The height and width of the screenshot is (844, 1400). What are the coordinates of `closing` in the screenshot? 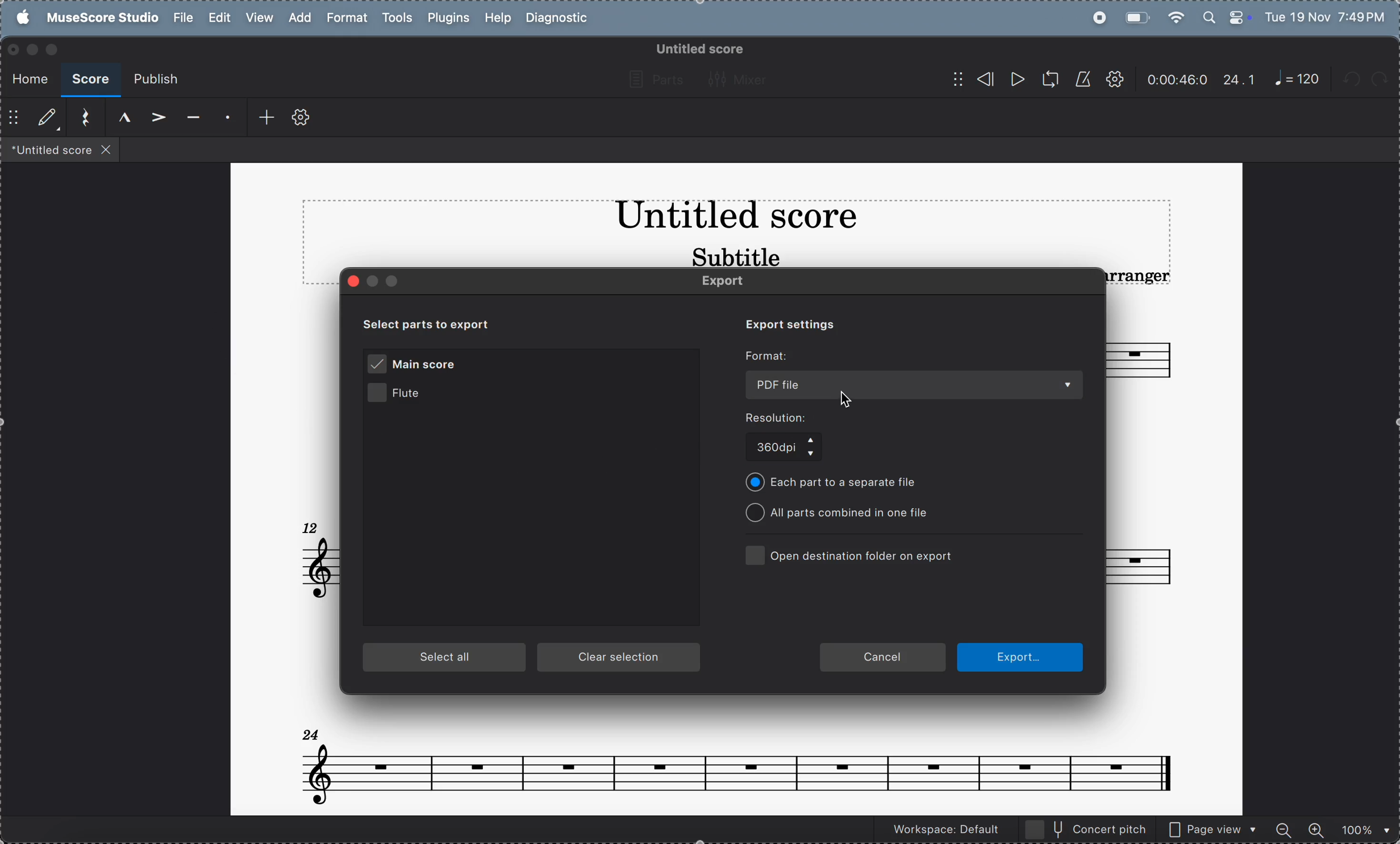 It's located at (14, 50).